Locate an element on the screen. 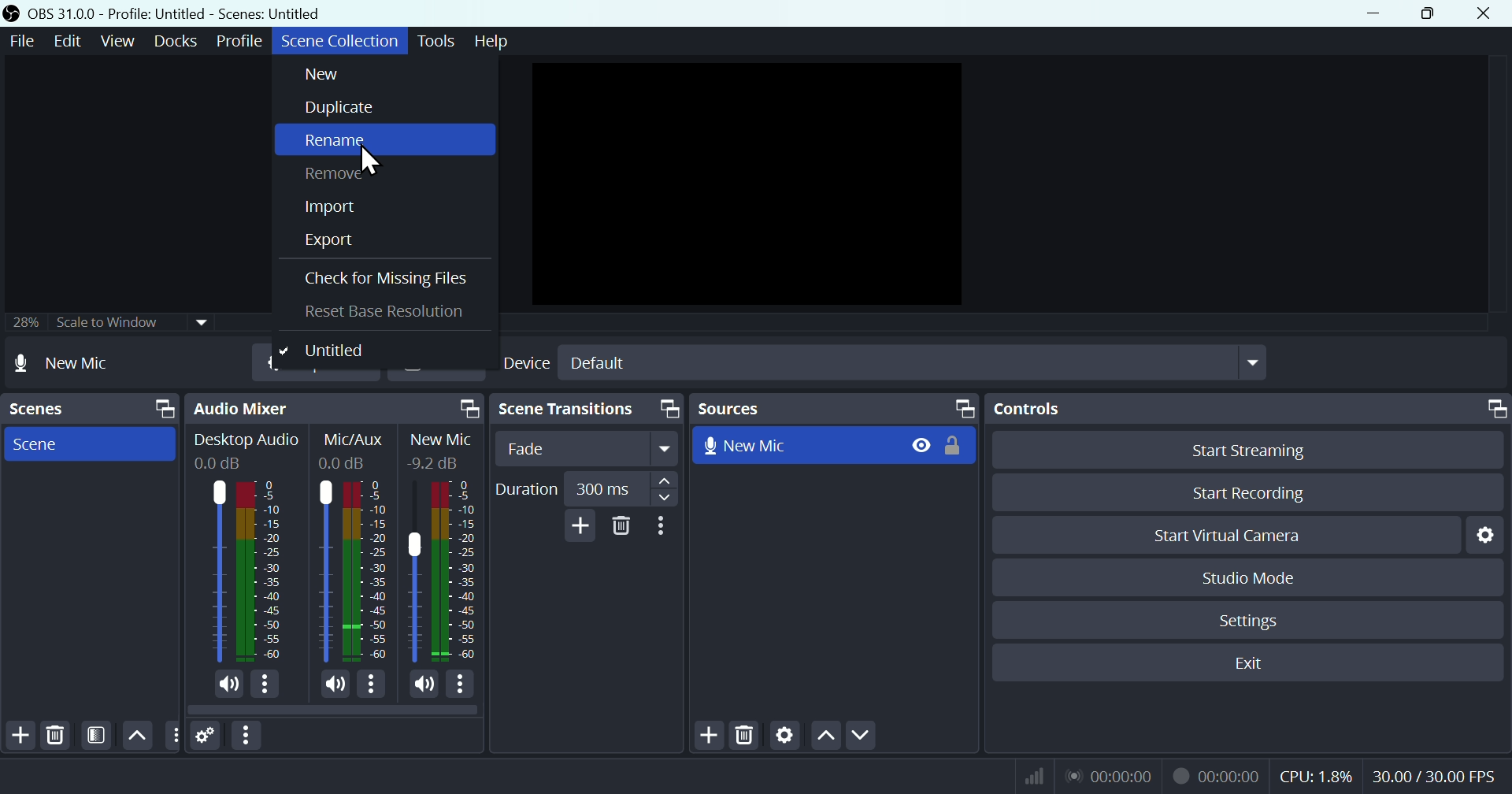 The width and height of the screenshot is (1512, 794).  Settings is located at coordinates (784, 738).